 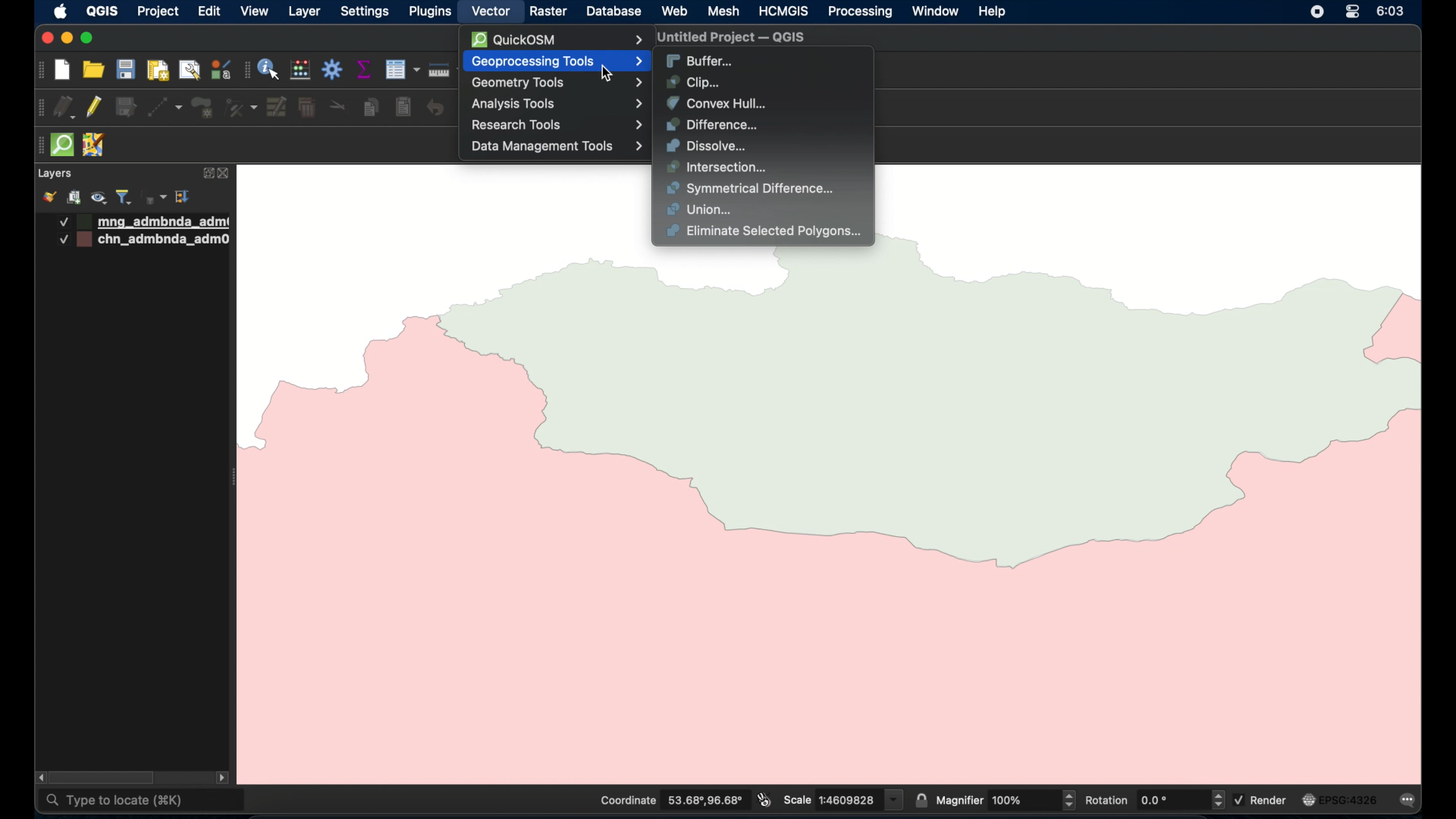 I want to click on scale, so click(x=843, y=799).